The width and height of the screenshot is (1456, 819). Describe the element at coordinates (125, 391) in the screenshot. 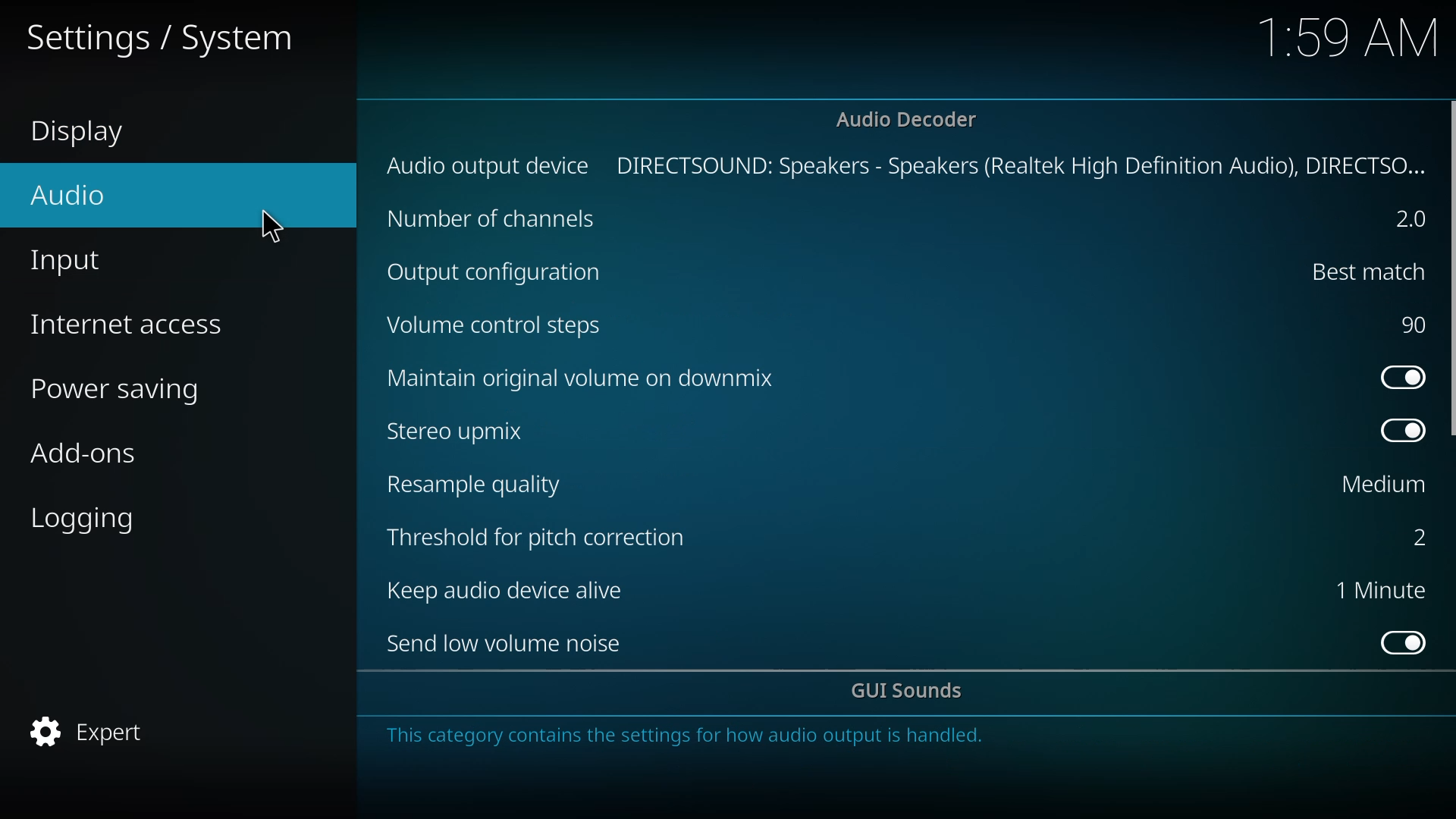

I see `power saving` at that location.